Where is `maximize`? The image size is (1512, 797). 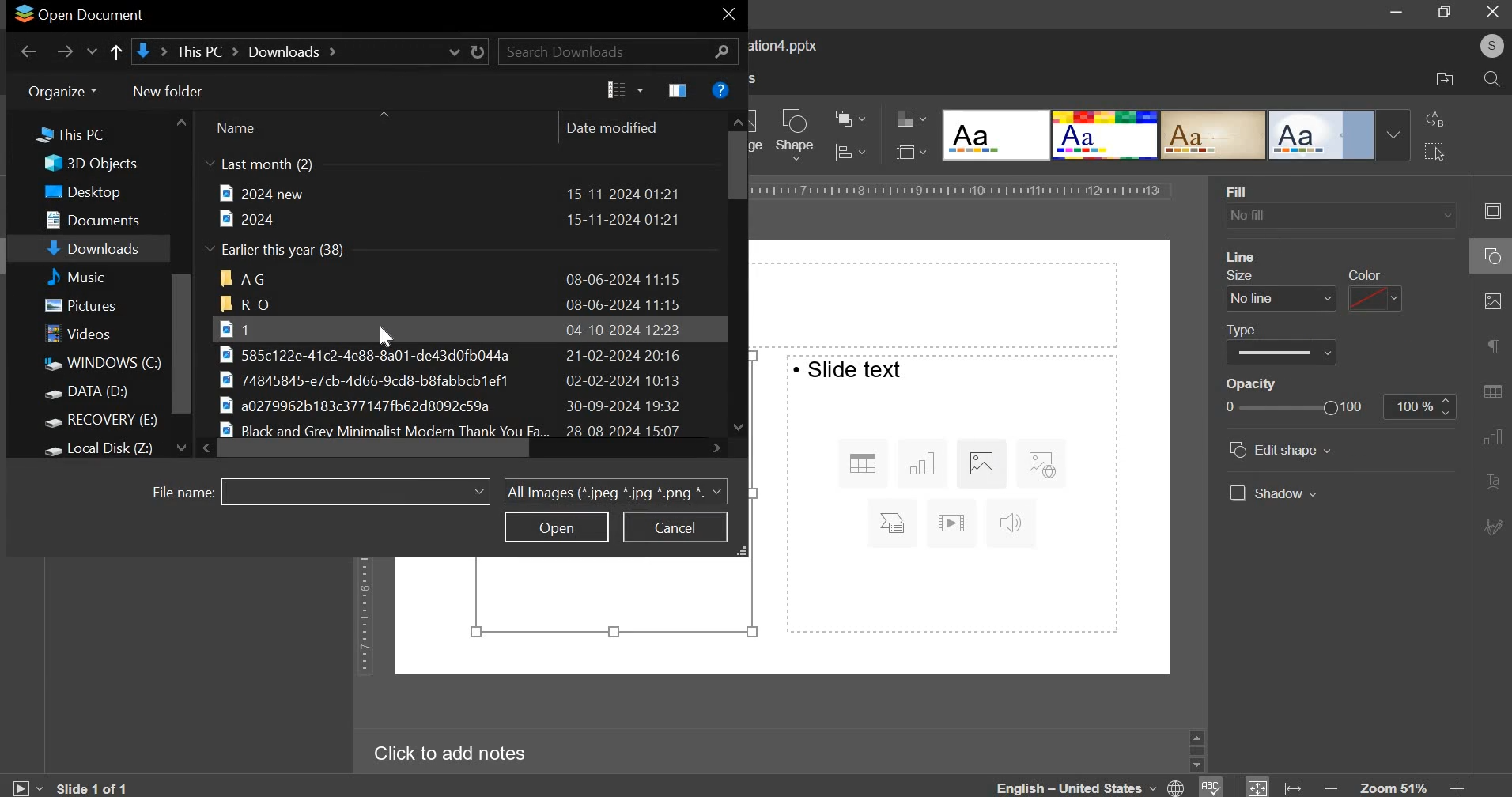 maximize is located at coordinates (1446, 11).